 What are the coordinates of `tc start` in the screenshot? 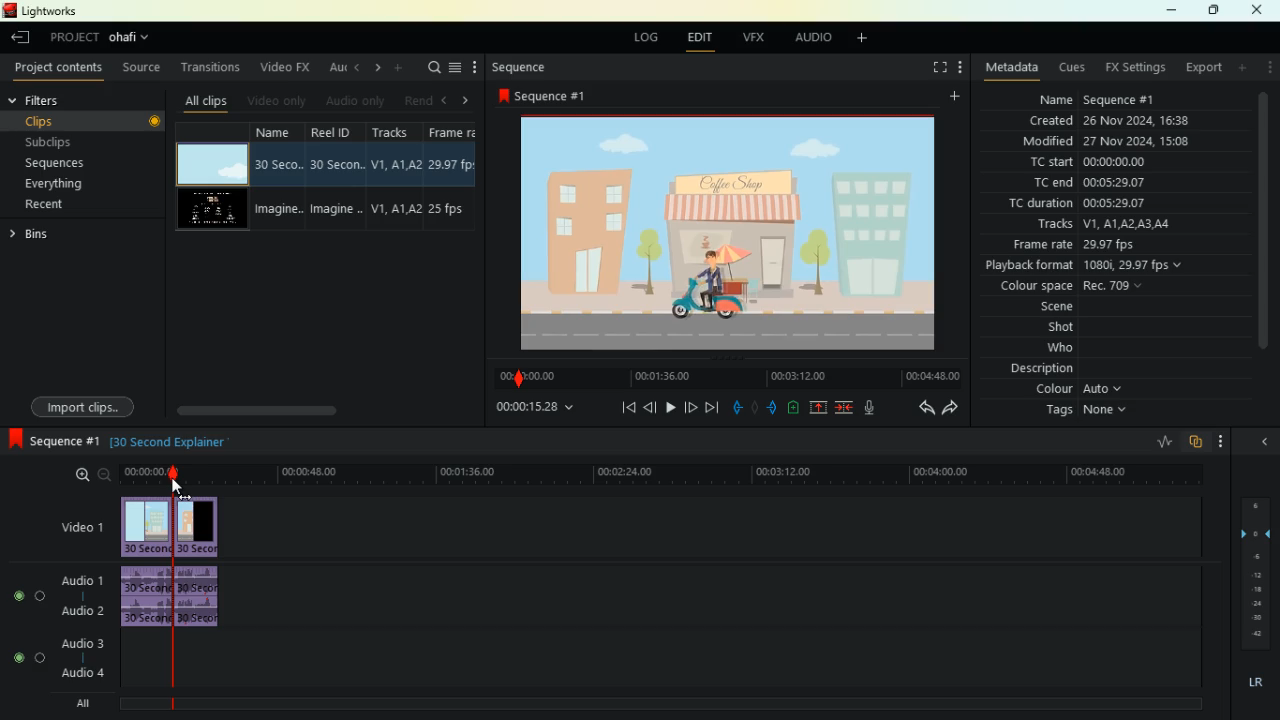 It's located at (1050, 163).